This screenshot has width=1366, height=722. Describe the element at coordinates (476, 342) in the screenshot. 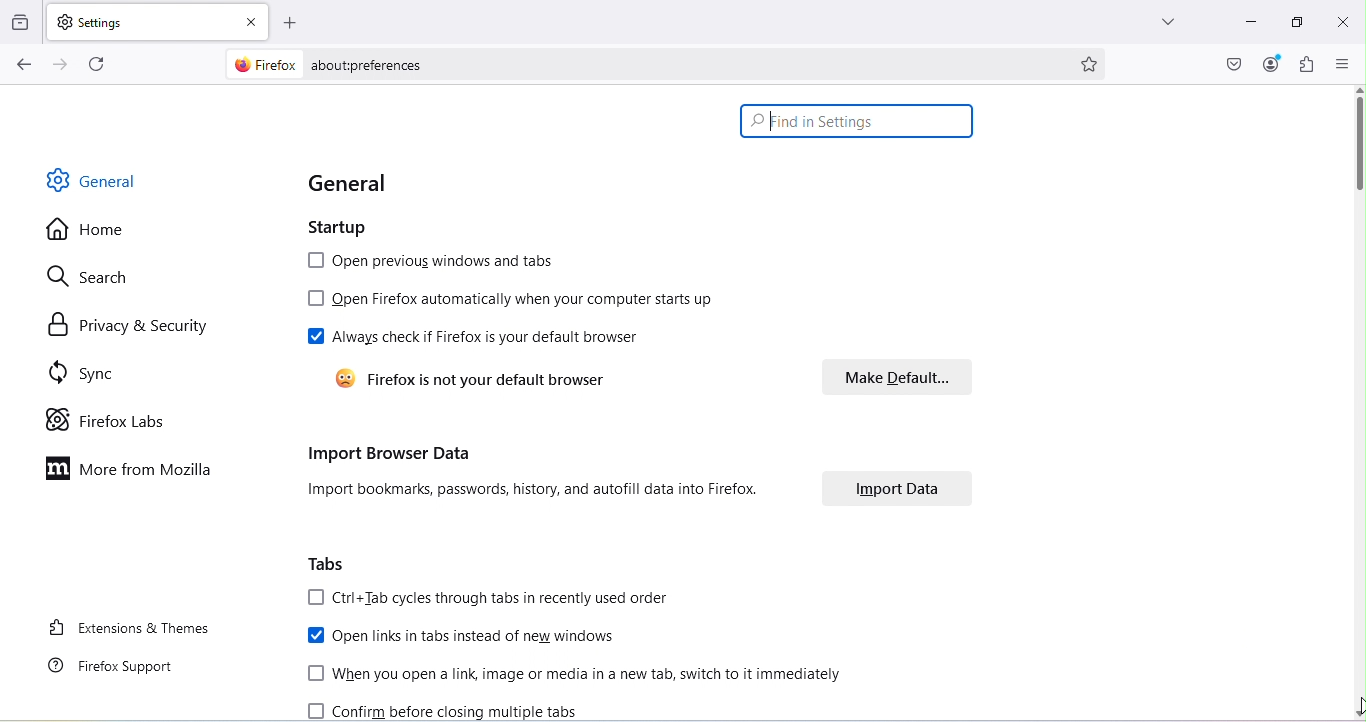

I see `Always check if firefox is your default browser` at that location.